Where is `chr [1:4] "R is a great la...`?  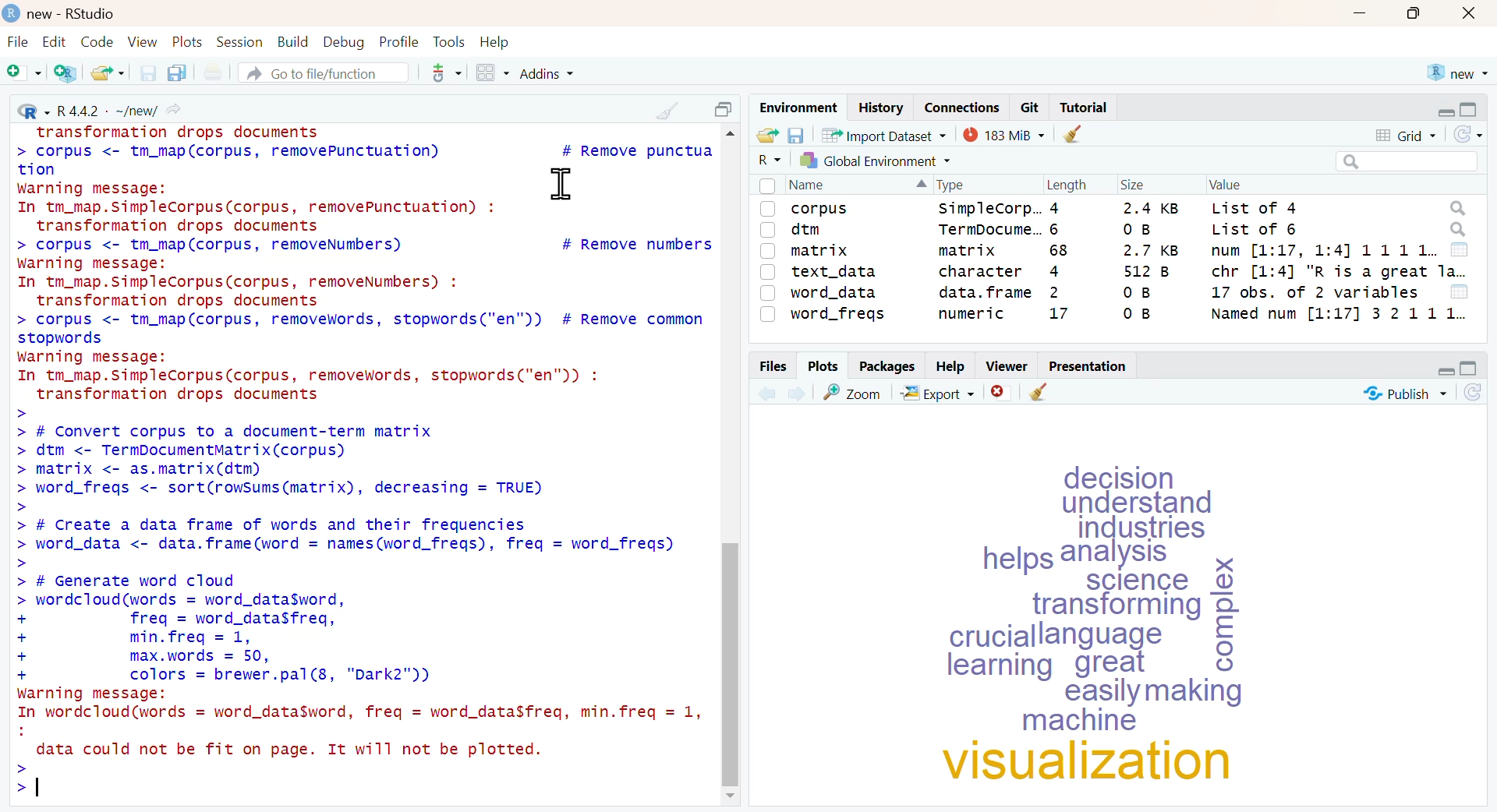
chr [1:4] "R is a great la... is located at coordinates (1338, 272).